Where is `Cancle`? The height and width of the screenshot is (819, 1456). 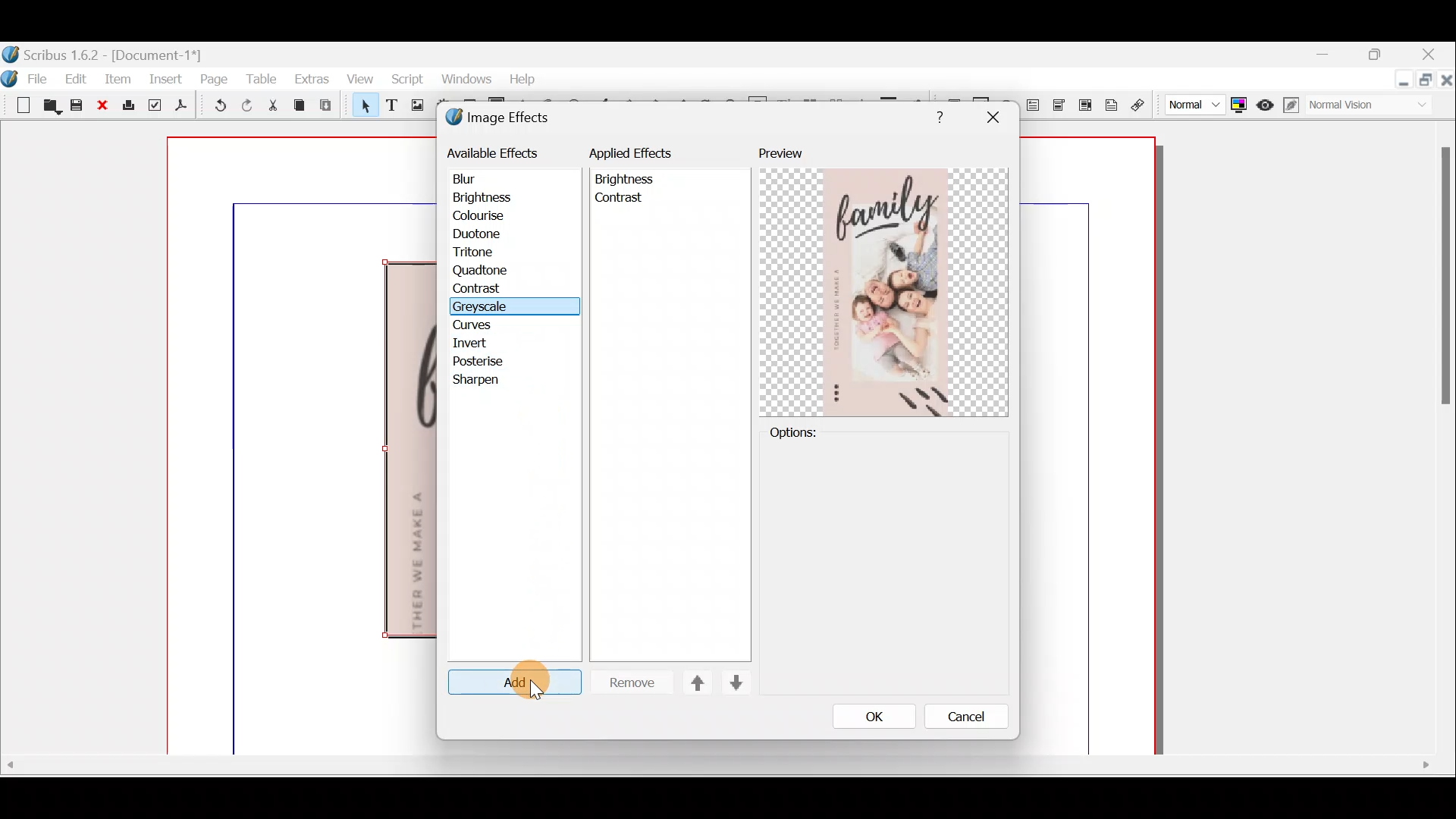
Cancle is located at coordinates (967, 718).